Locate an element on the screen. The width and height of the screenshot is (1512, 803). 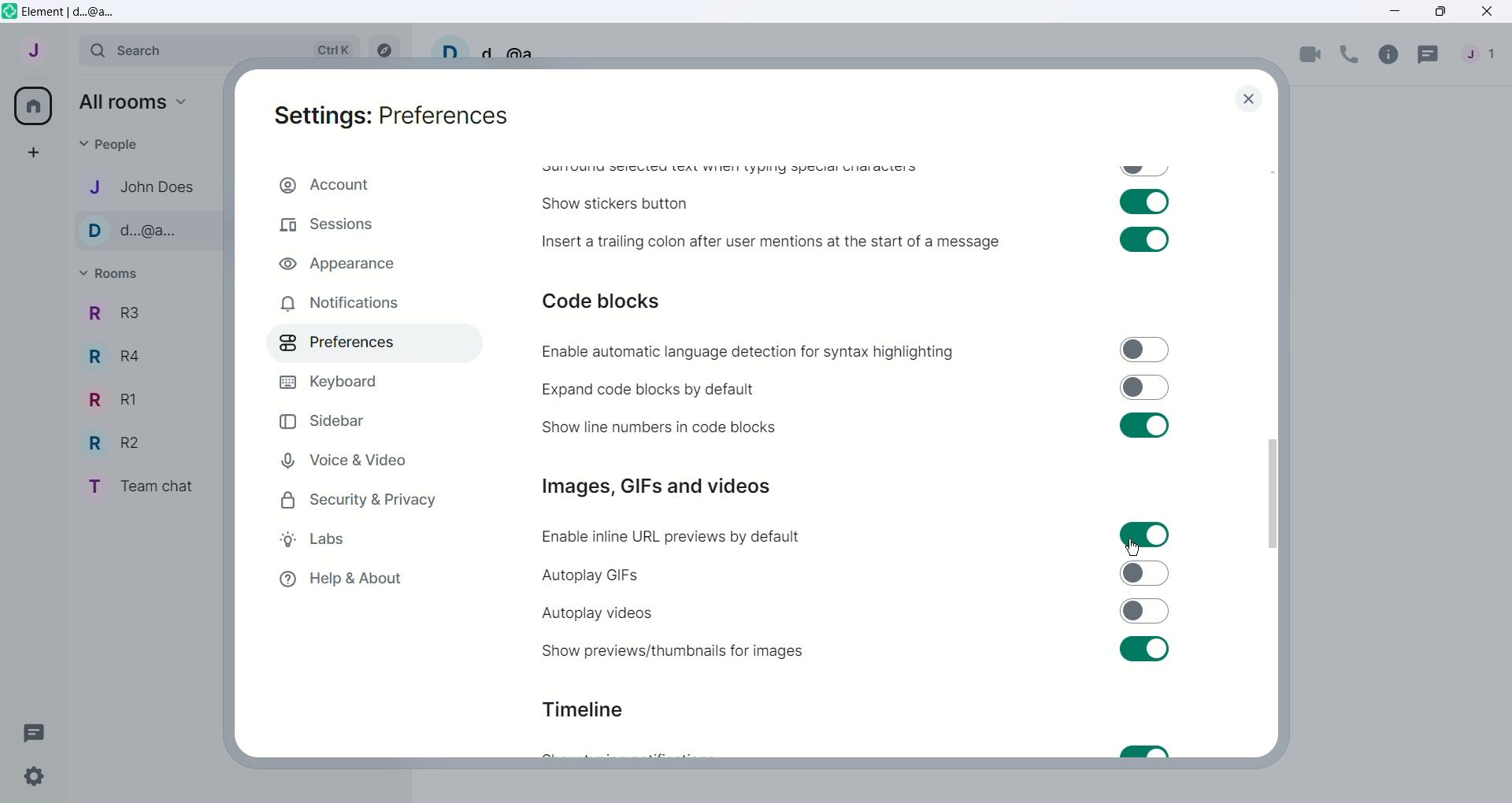
Autoplay videos is located at coordinates (596, 613).